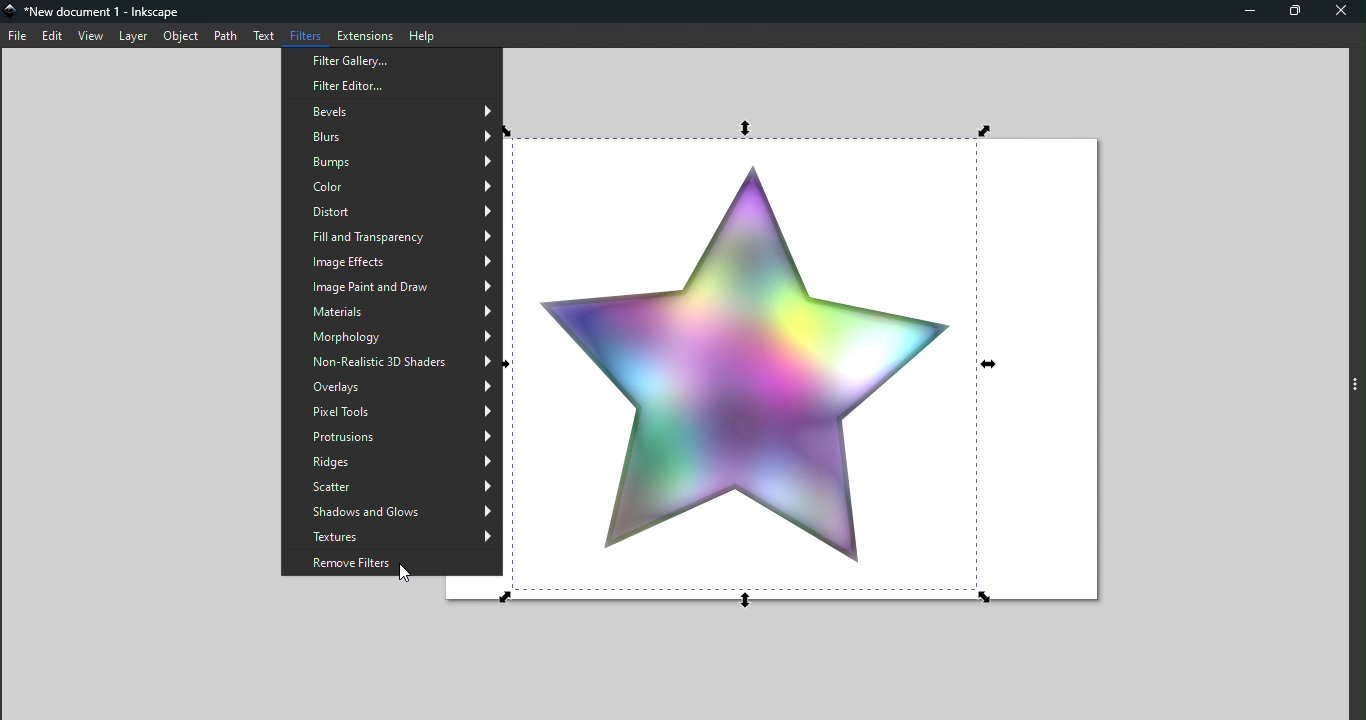 Image resolution: width=1366 pixels, height=720 pixels. I want to click on Non-realistic 3D shaders, so click(393, 362).